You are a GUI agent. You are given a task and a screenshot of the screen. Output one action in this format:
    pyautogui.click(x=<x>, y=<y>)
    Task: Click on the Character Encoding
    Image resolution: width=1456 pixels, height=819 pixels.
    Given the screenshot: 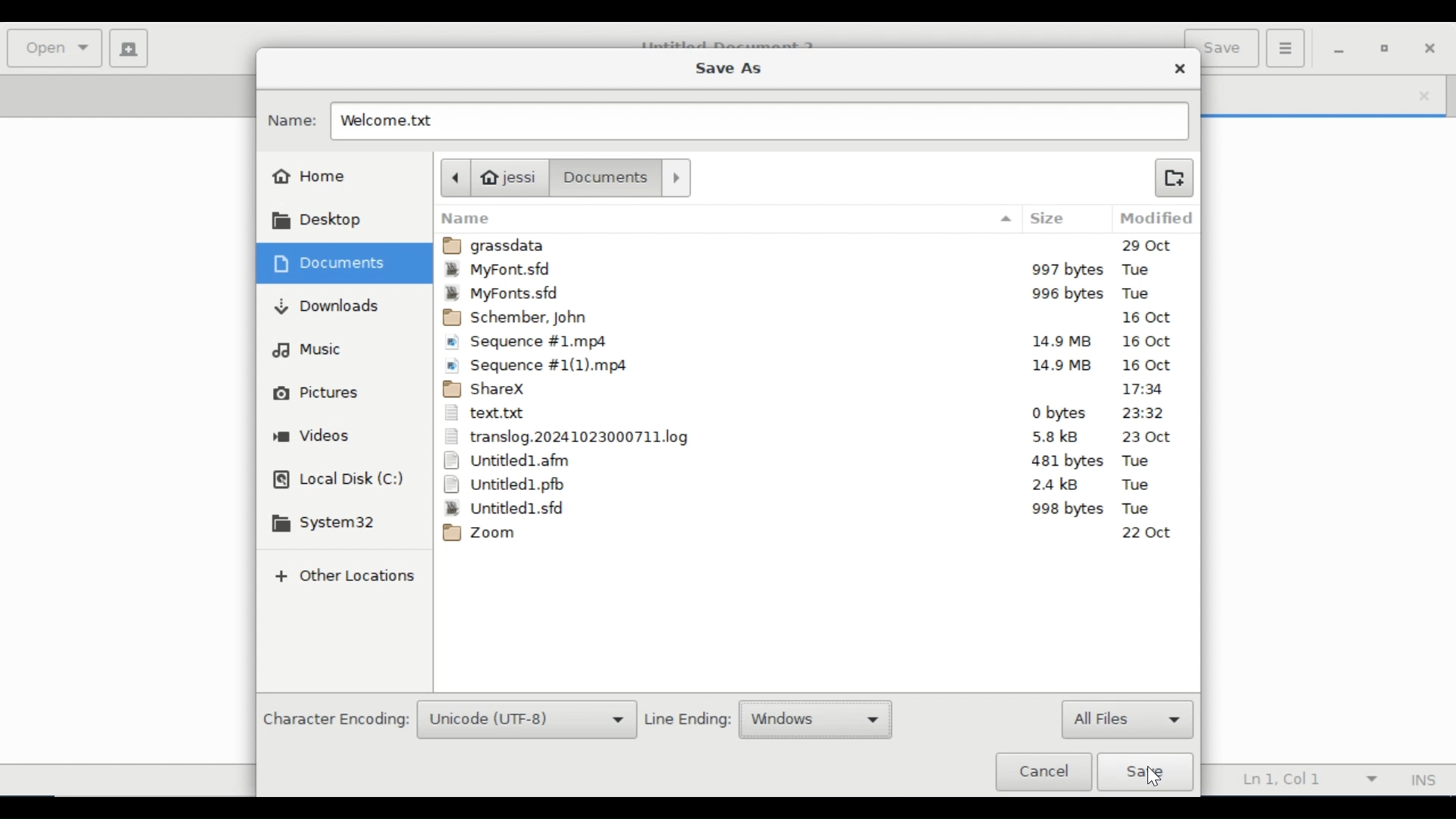 What is the action you would take?
    pyautogui.click(x=335, y=717)
    